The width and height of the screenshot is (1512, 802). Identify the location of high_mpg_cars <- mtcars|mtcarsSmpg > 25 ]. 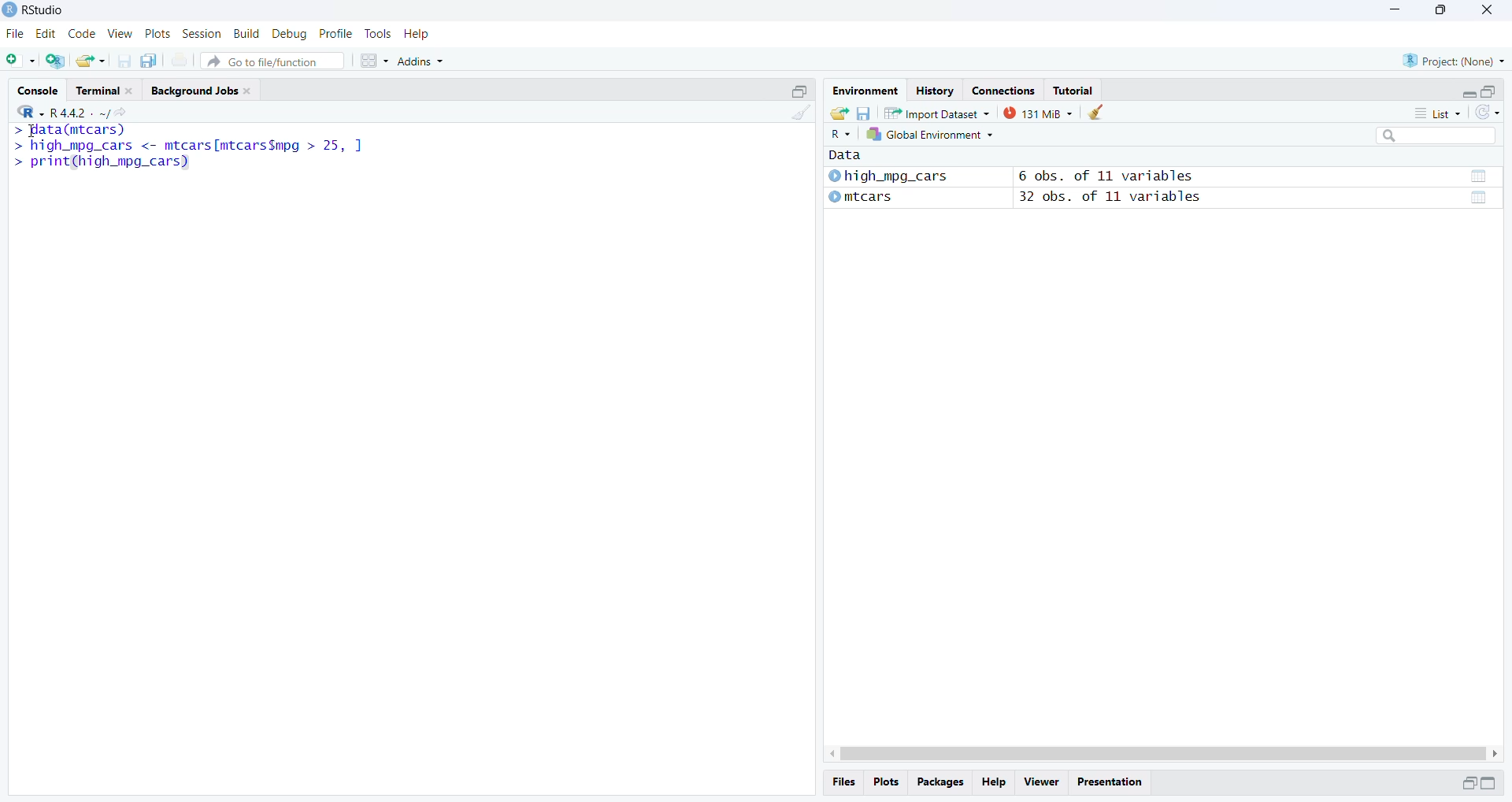
(191, 147).